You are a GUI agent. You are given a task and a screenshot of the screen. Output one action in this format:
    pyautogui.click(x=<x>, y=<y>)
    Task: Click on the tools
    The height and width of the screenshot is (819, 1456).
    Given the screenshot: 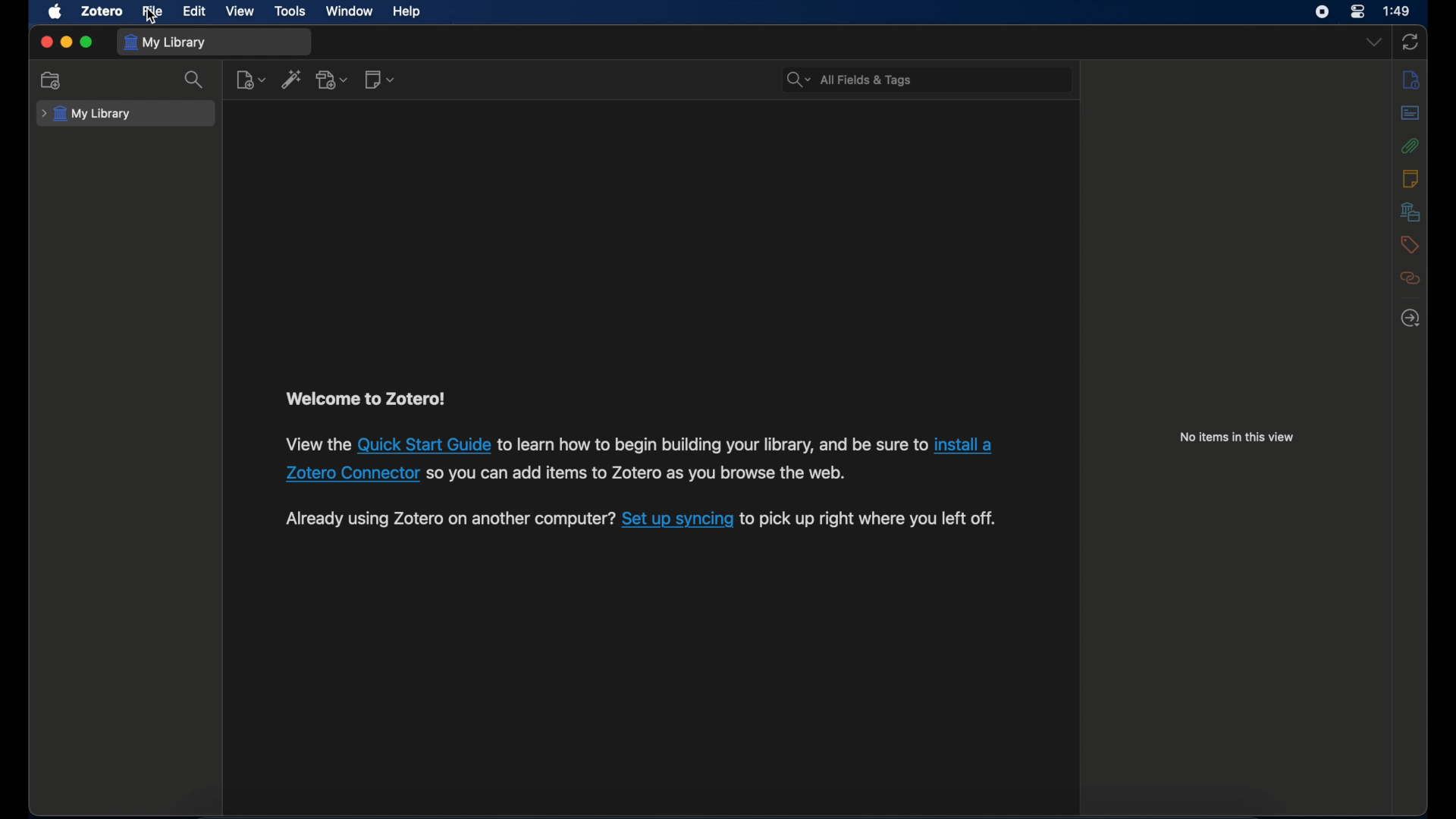 What is the action you would take?
    pyautogui.click(x=291, y=11)
    